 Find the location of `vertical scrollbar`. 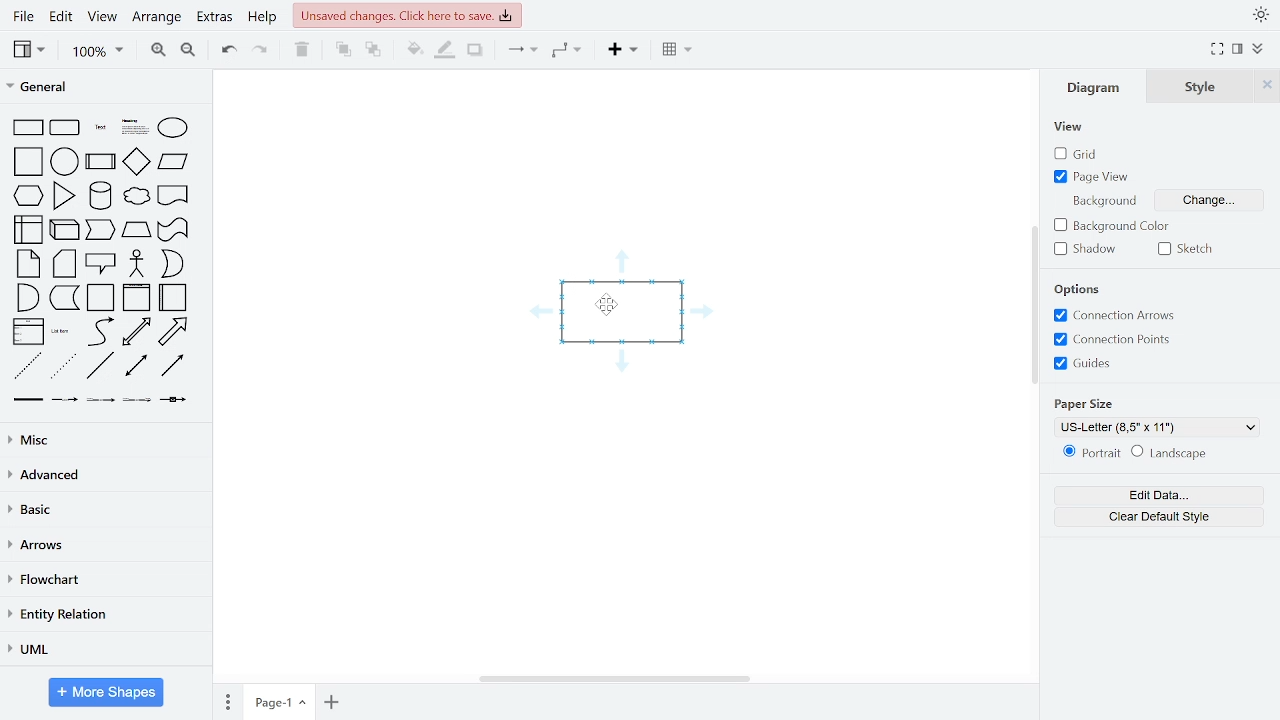

vertical scrollbar is located at coordinates (1037, 308).